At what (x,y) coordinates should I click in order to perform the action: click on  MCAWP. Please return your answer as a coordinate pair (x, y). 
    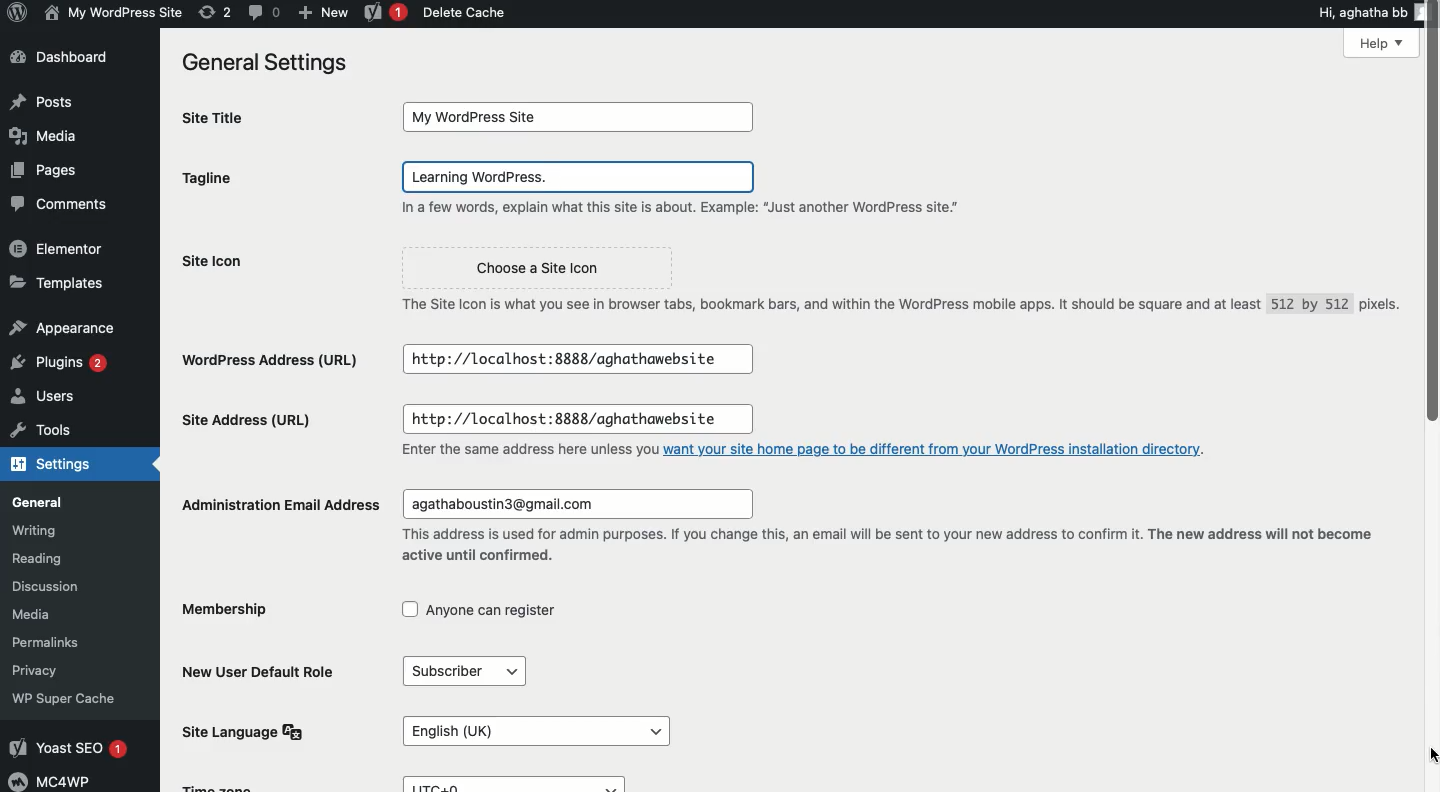
    Looking at the image, I should click on (56, 781).